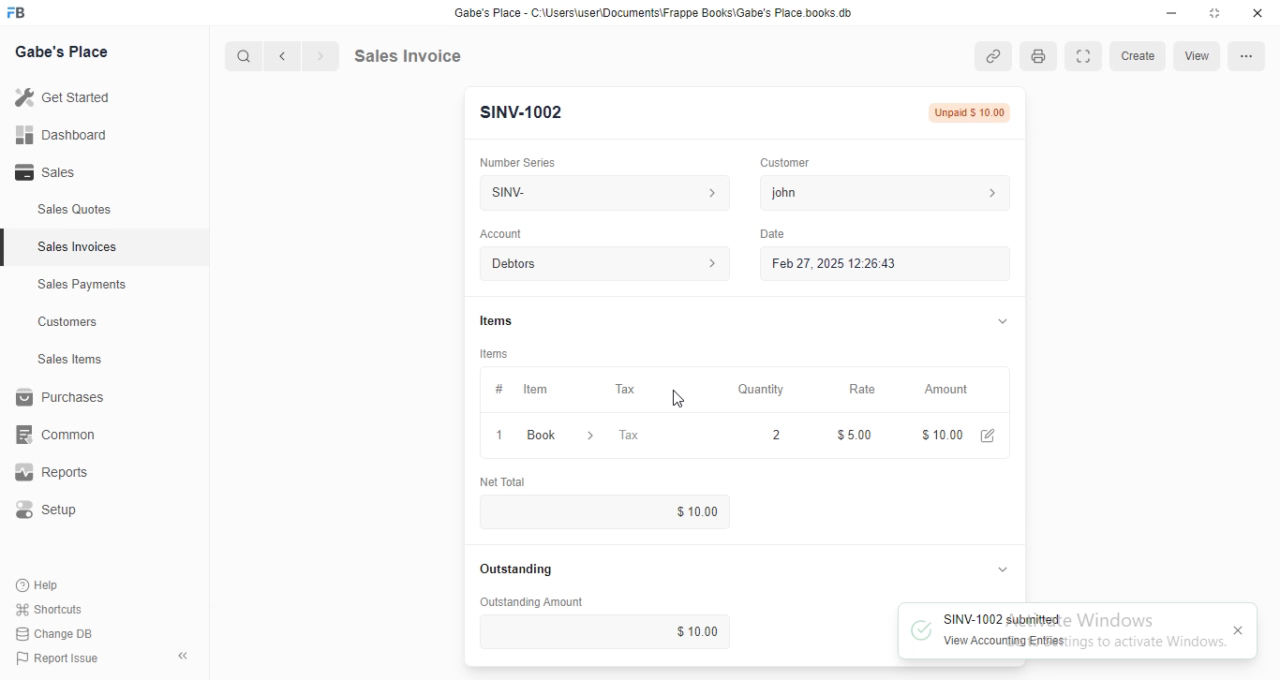 This screenshot has width=1280, height=680. I want to click on Sales Invoices, so click(80, 248).